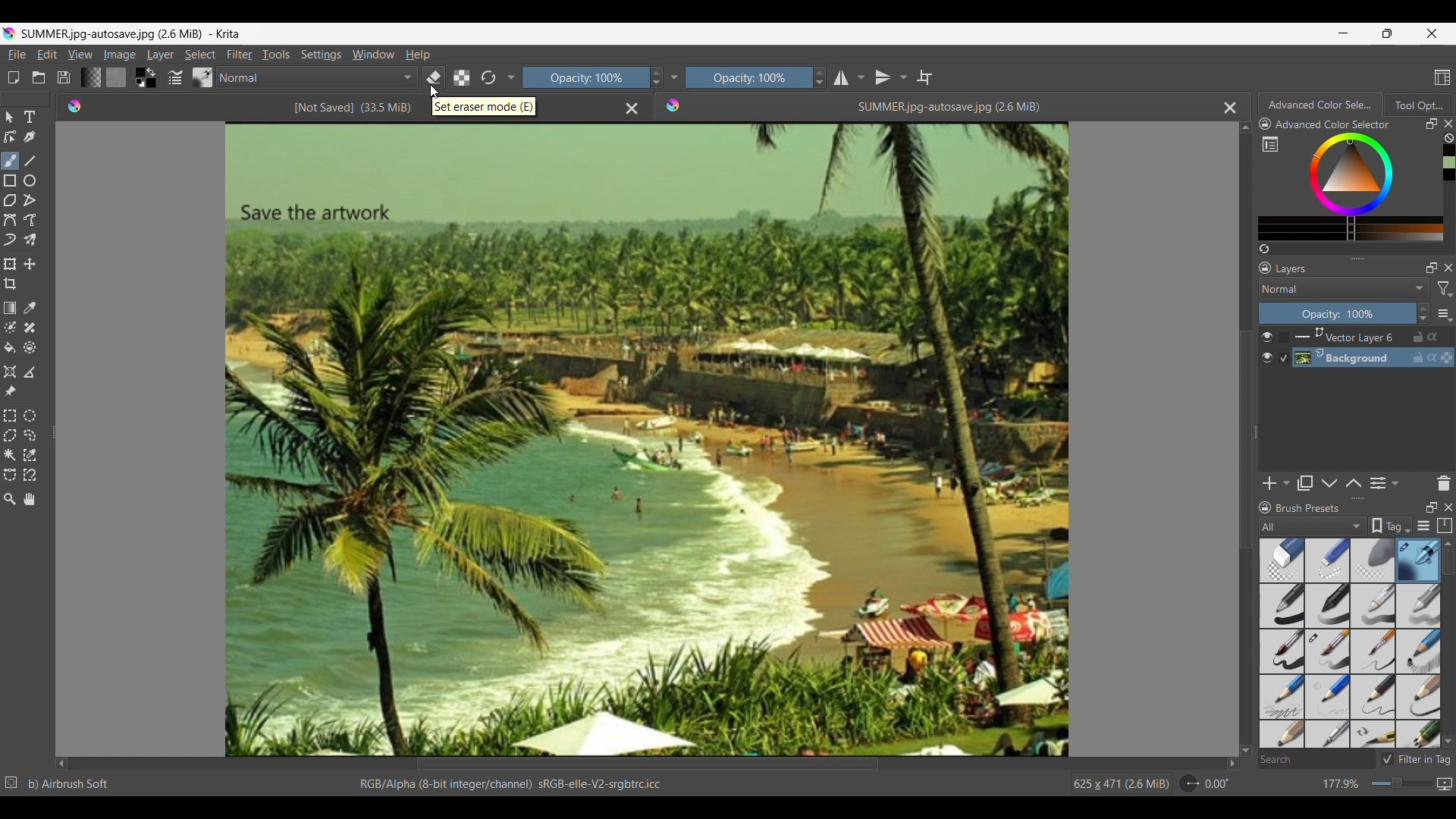  What do you see at coordinates (1264, 249) in the screenshot?
I see `Create a list of colors from the image` at bounding box center [1264, 249].